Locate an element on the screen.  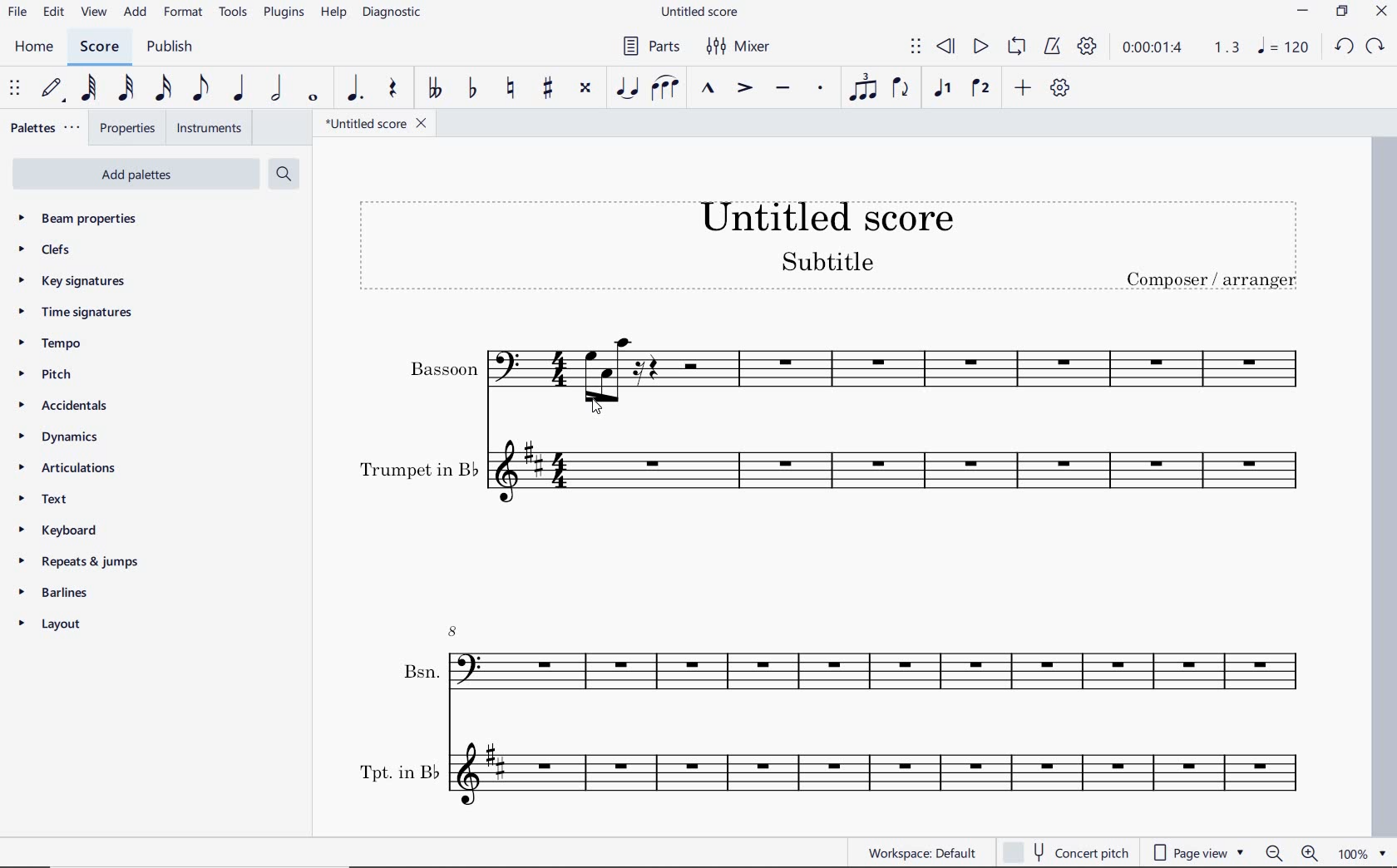
view is located at coordinates (93, 13).